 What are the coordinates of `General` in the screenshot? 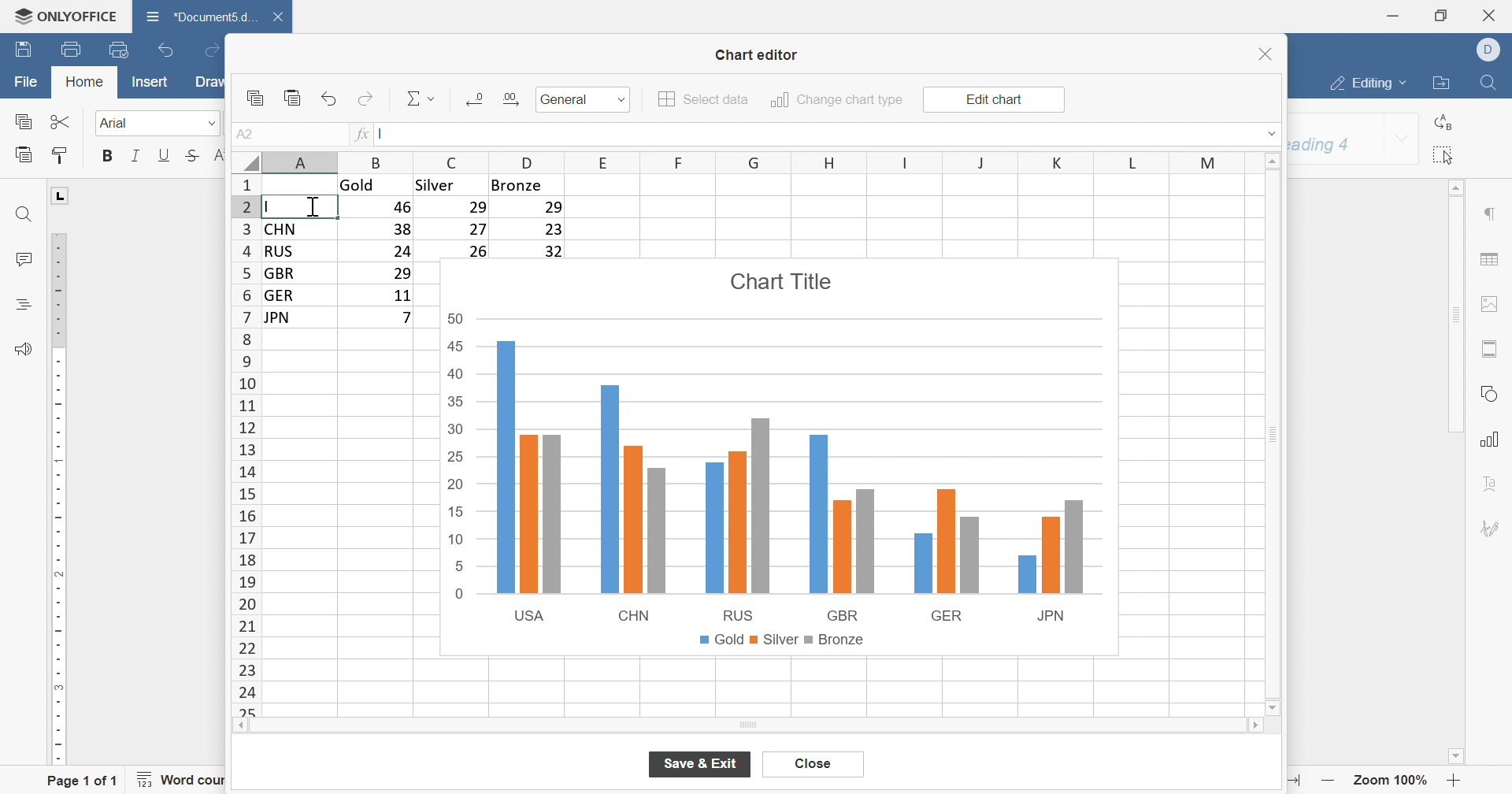 It's located at (567, 99).